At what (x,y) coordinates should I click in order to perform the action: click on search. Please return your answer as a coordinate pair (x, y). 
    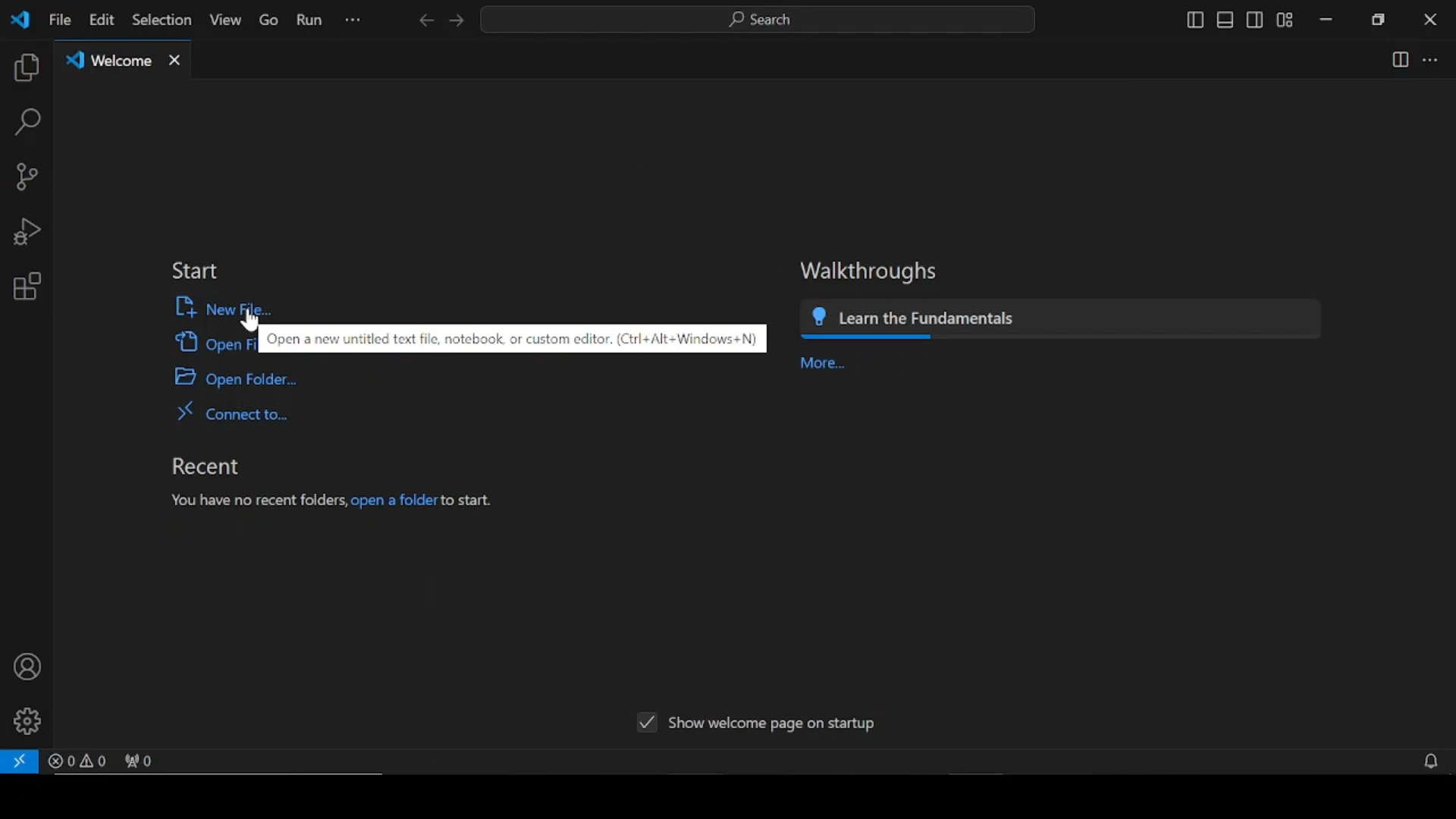
    Looking at the image, I should click on (27, 123).